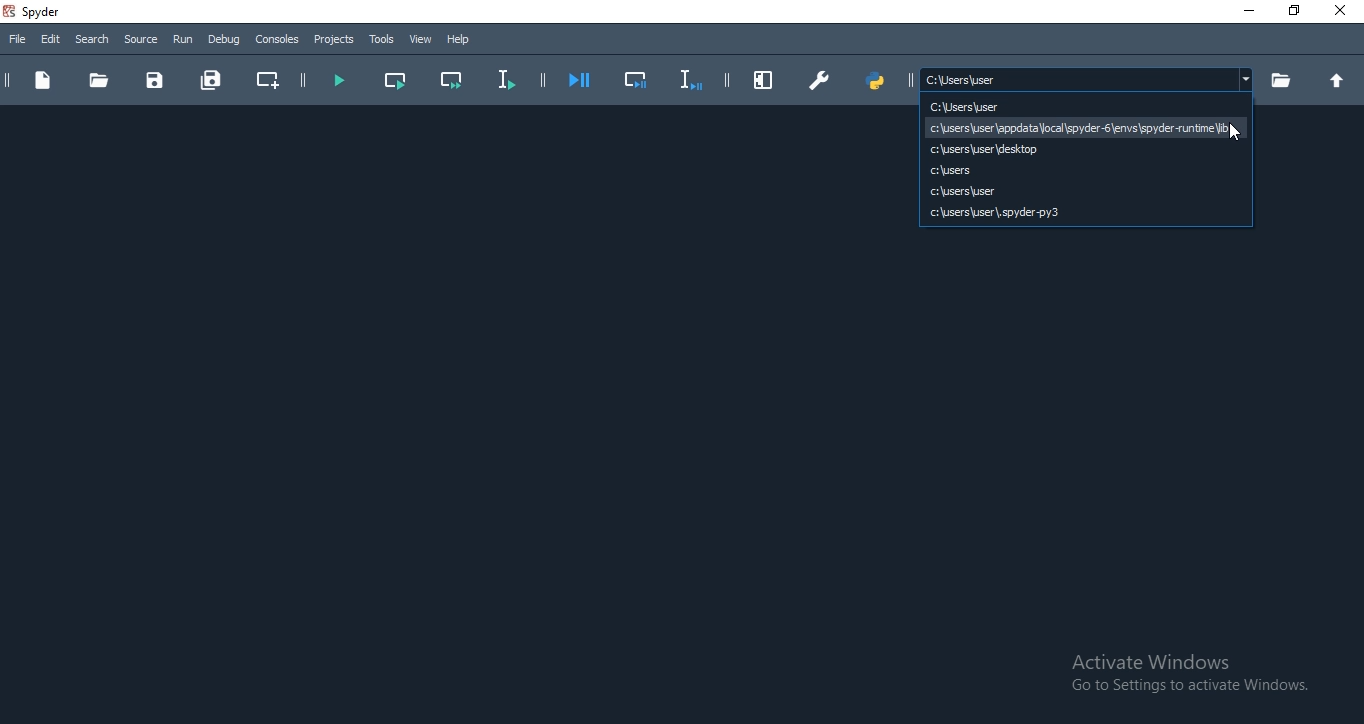 The image size is (1364, 724). What do you see at coordinates (688, 80) in the screenshot?
I see `debug selection` at bounding box center [688, 80].